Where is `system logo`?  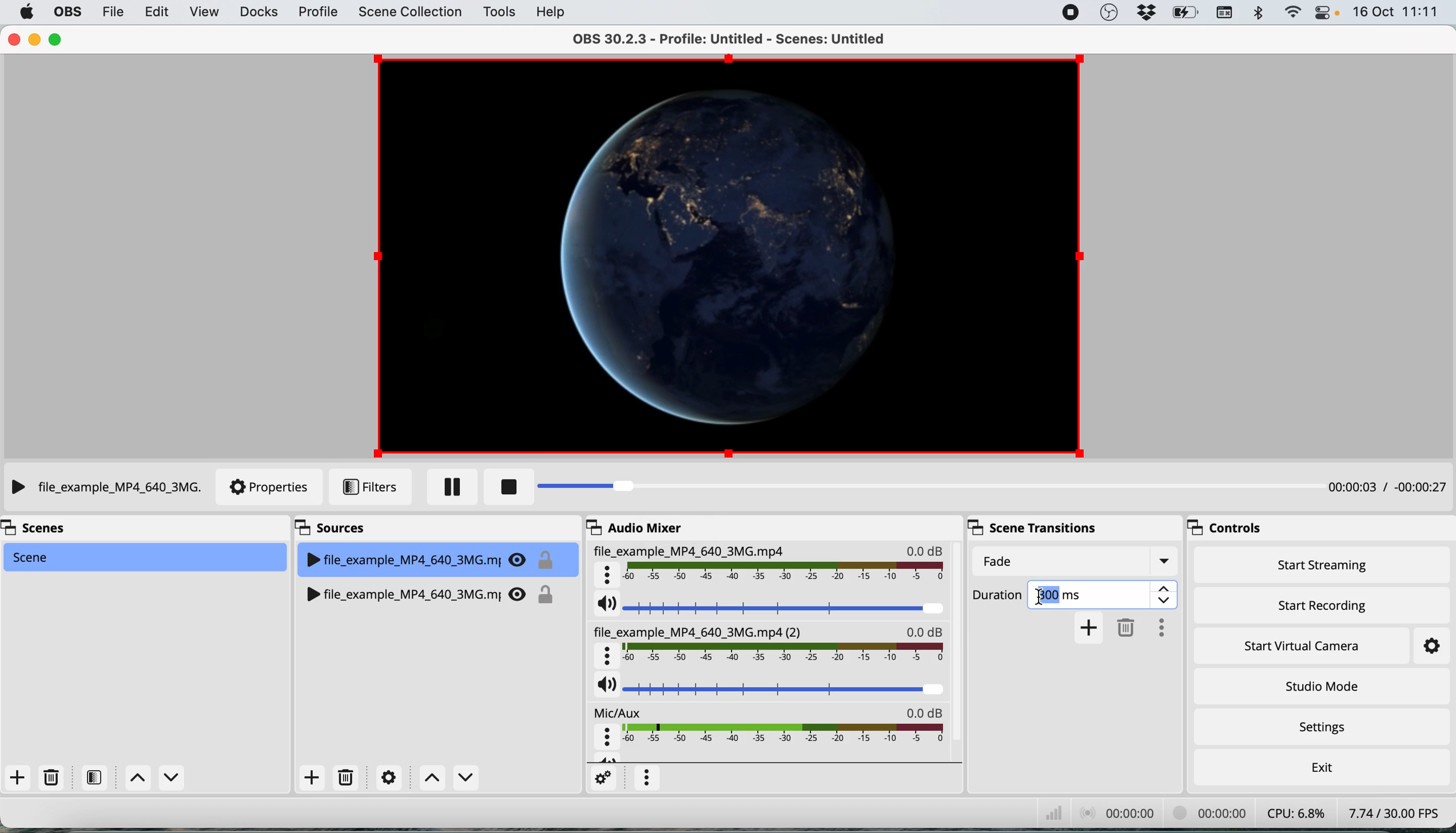 system logo is located at coordinates (26, 11).